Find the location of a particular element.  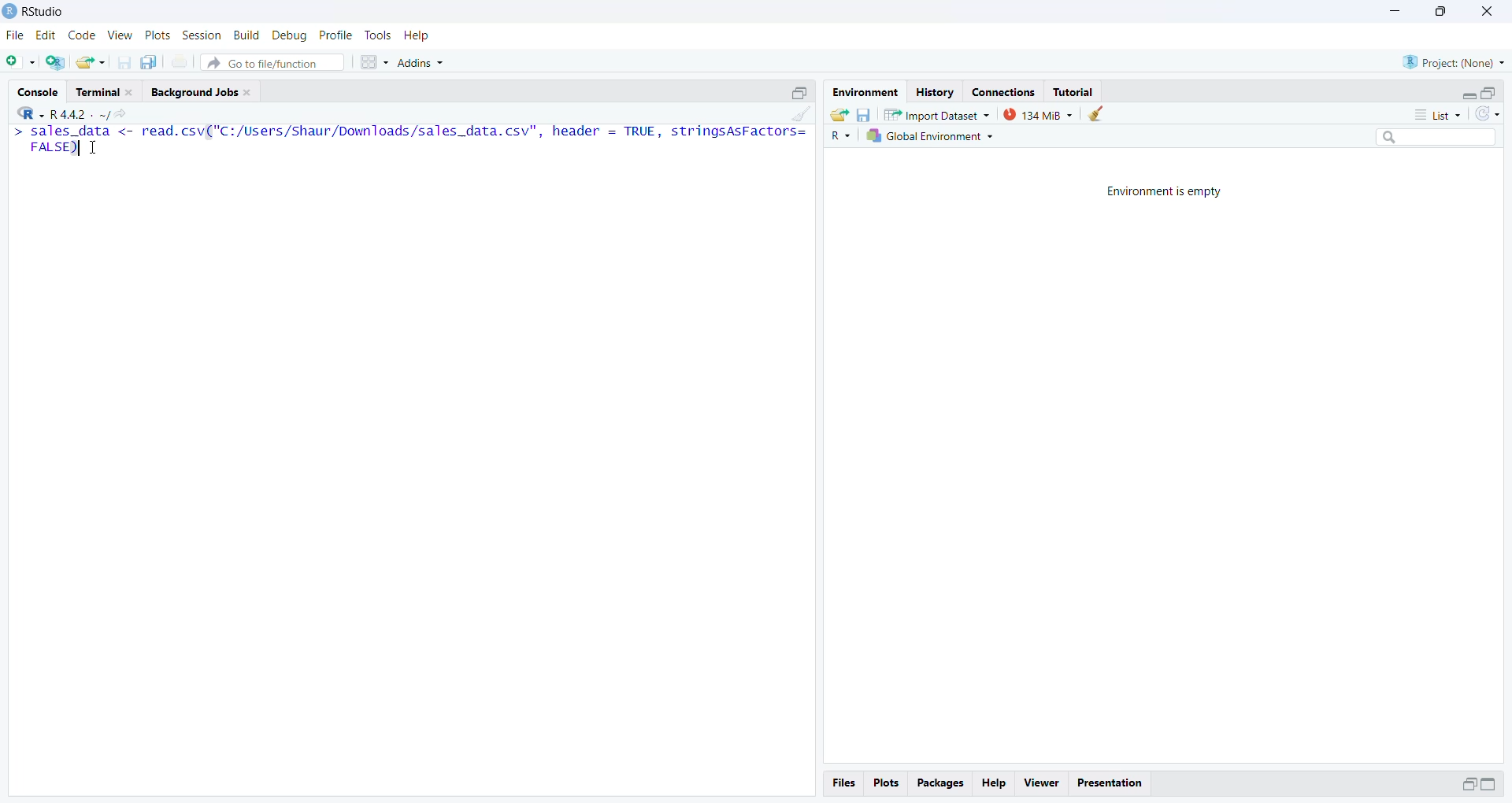

Search is located at coordinates (1435, 139).